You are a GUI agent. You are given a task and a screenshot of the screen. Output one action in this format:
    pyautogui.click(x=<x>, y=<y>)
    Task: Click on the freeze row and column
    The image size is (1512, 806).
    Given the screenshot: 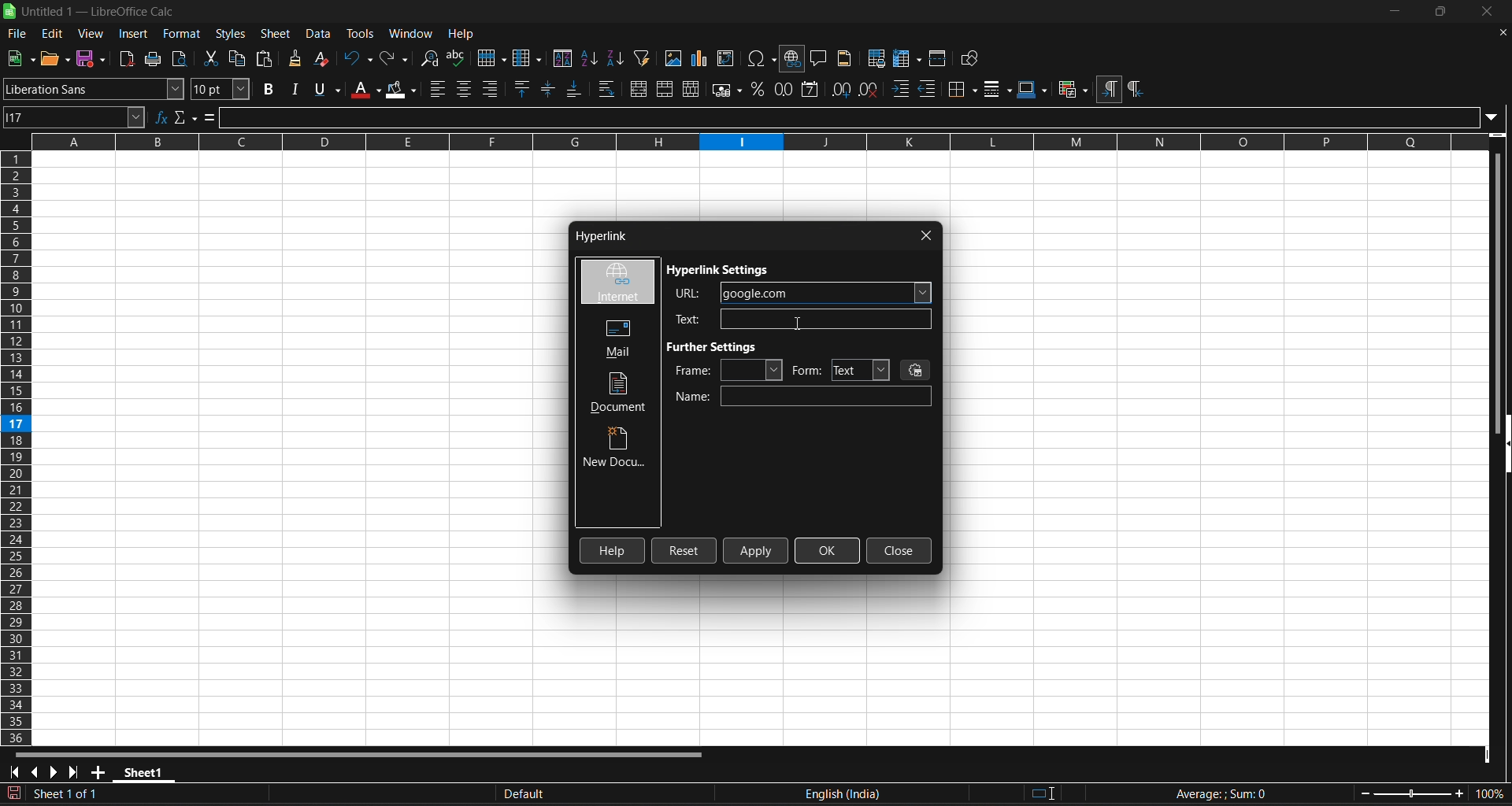 What is the action you would take?
    pyautogui.click(x=907, y=57)
    